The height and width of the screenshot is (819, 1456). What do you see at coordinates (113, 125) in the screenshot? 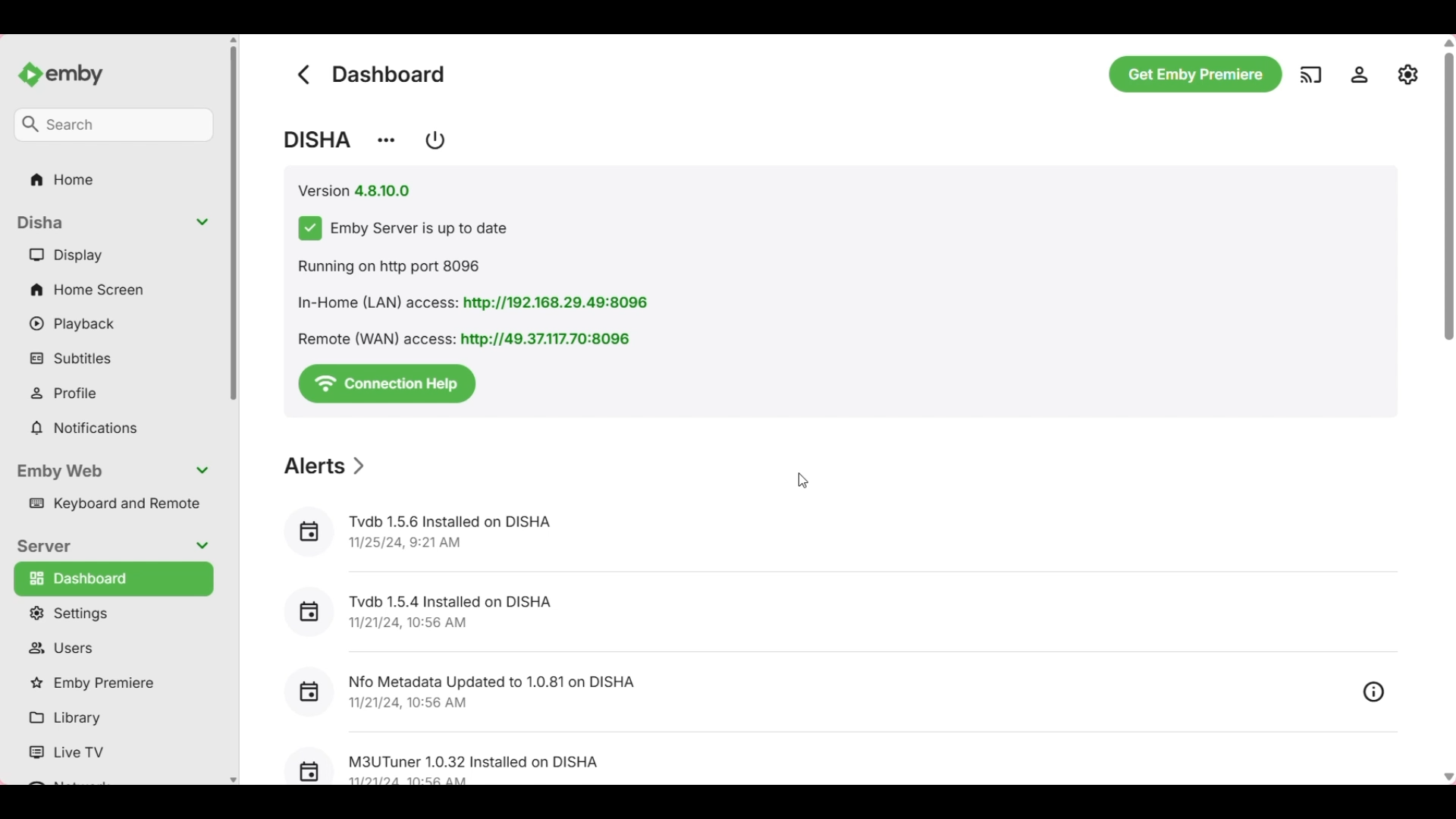
I see `Search box` at bounding box center [113, 125].